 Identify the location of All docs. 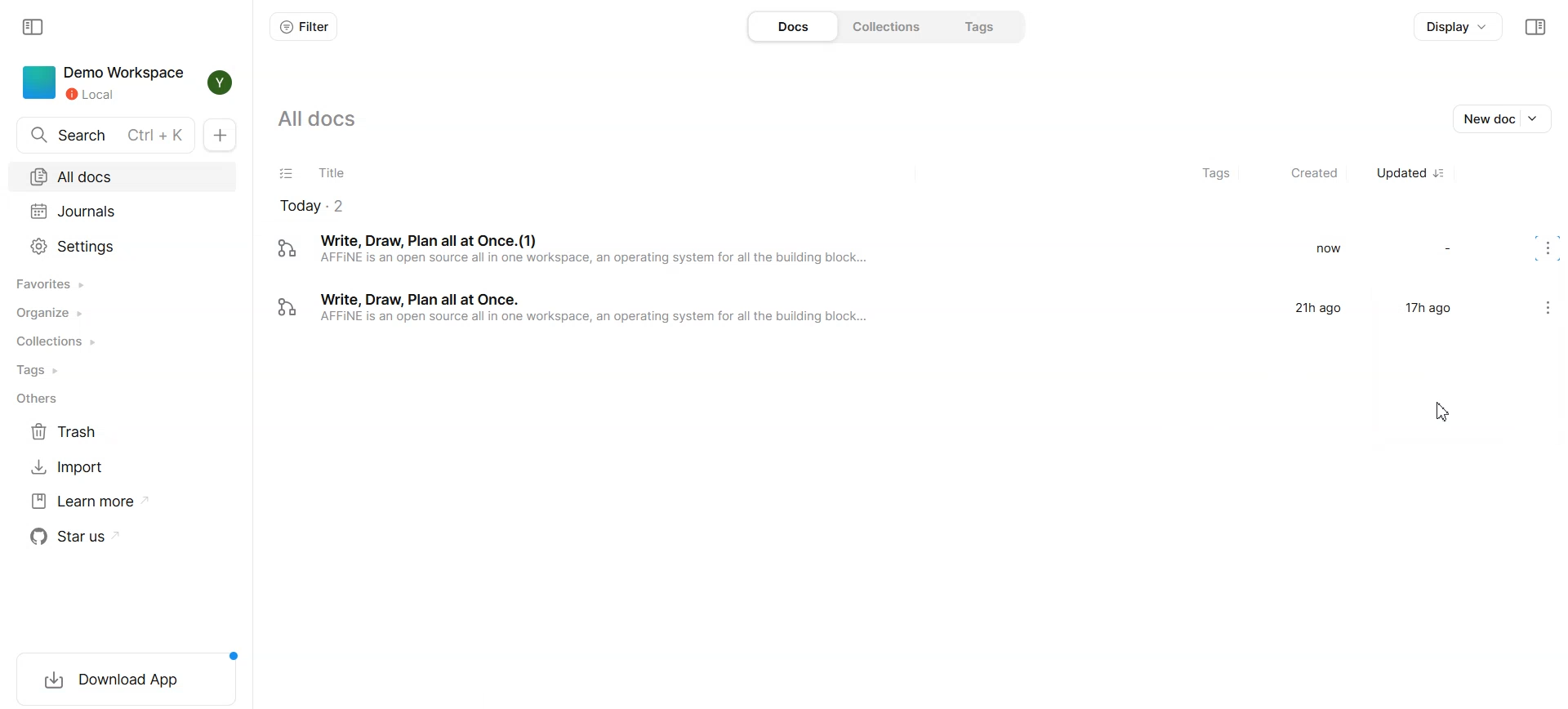
(122, 178).